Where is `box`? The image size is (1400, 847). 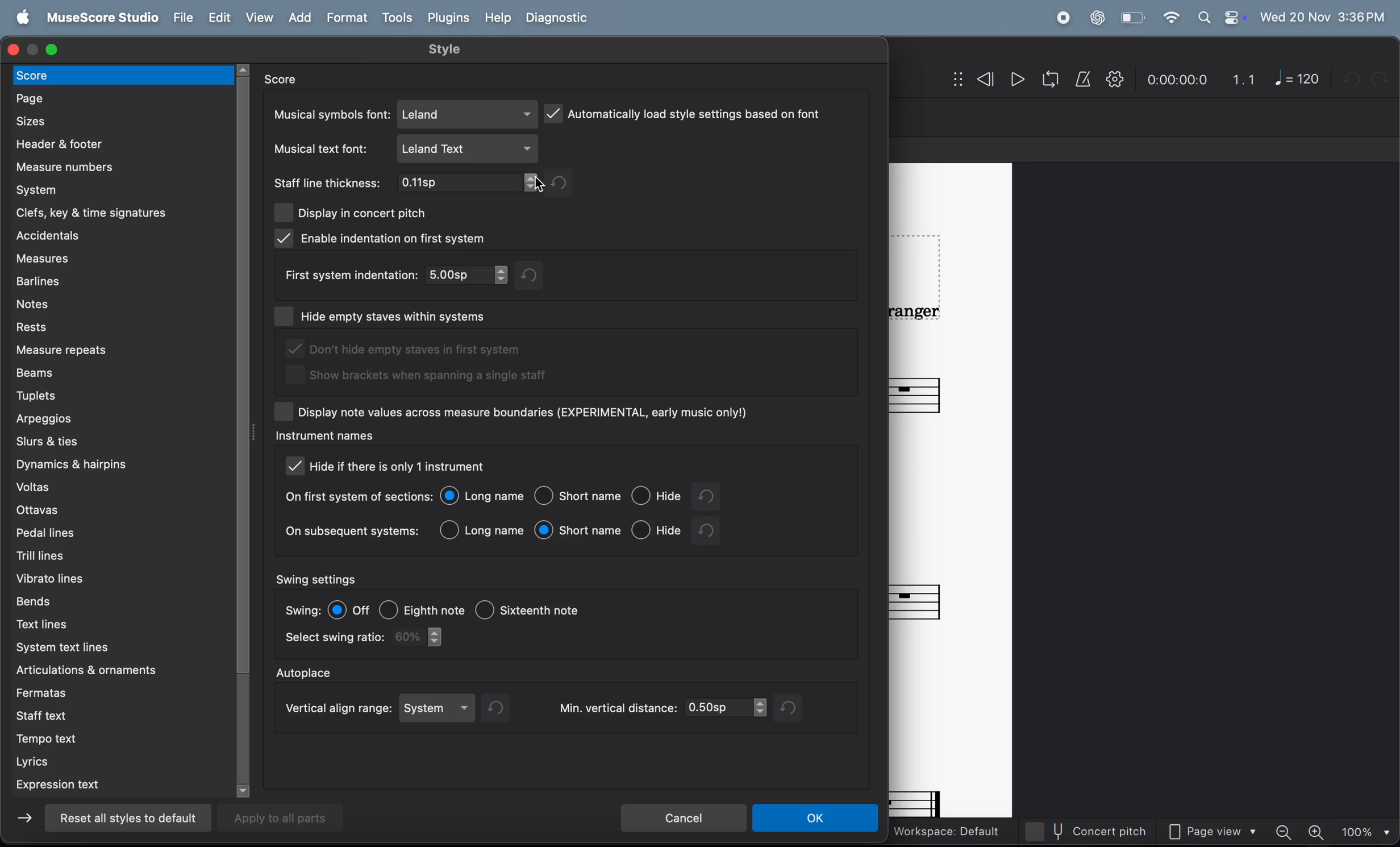
box is located at coordinates (286, 318).